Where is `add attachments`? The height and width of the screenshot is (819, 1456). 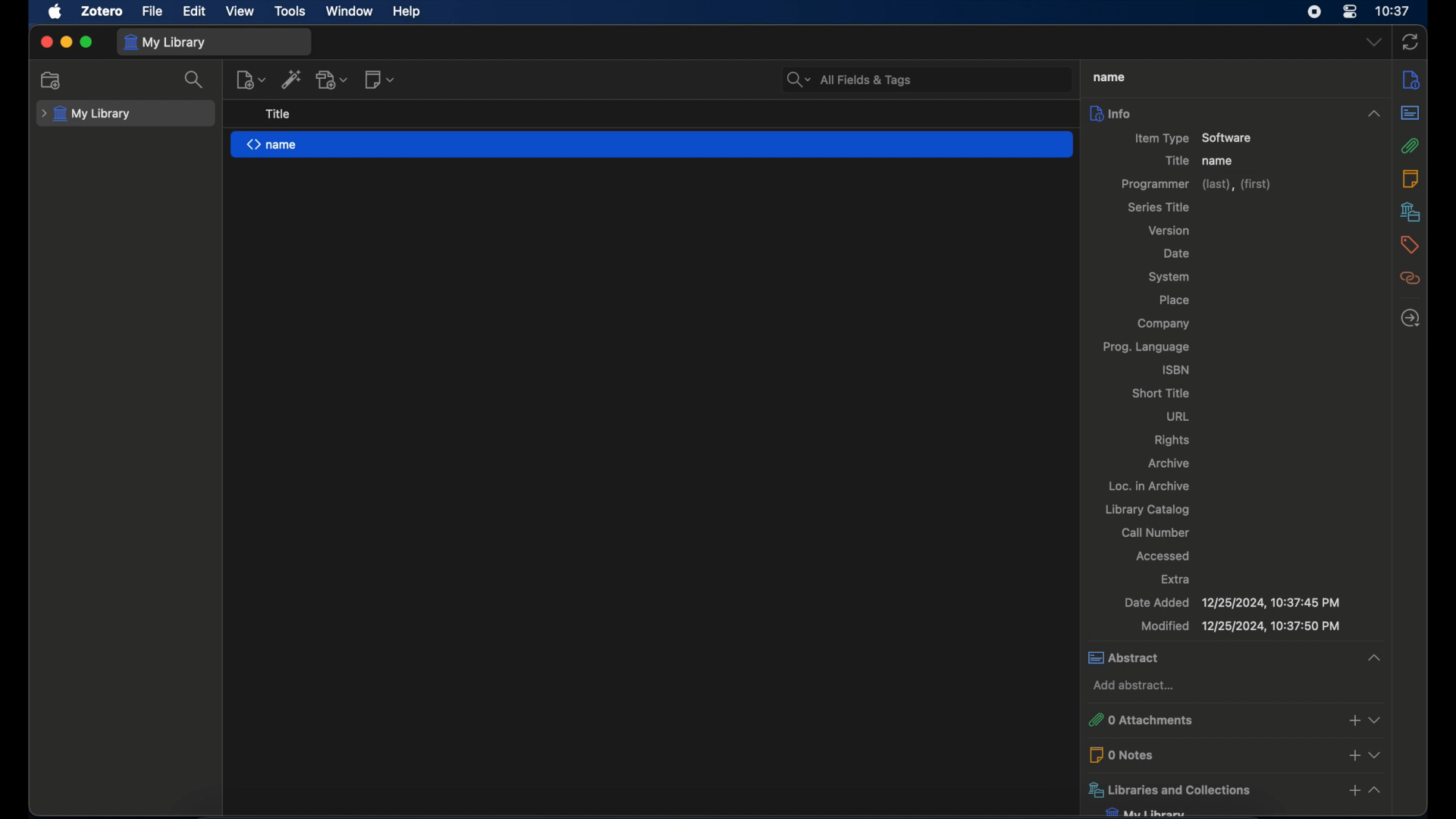
add attachments is located at coordinates (1353, 720).